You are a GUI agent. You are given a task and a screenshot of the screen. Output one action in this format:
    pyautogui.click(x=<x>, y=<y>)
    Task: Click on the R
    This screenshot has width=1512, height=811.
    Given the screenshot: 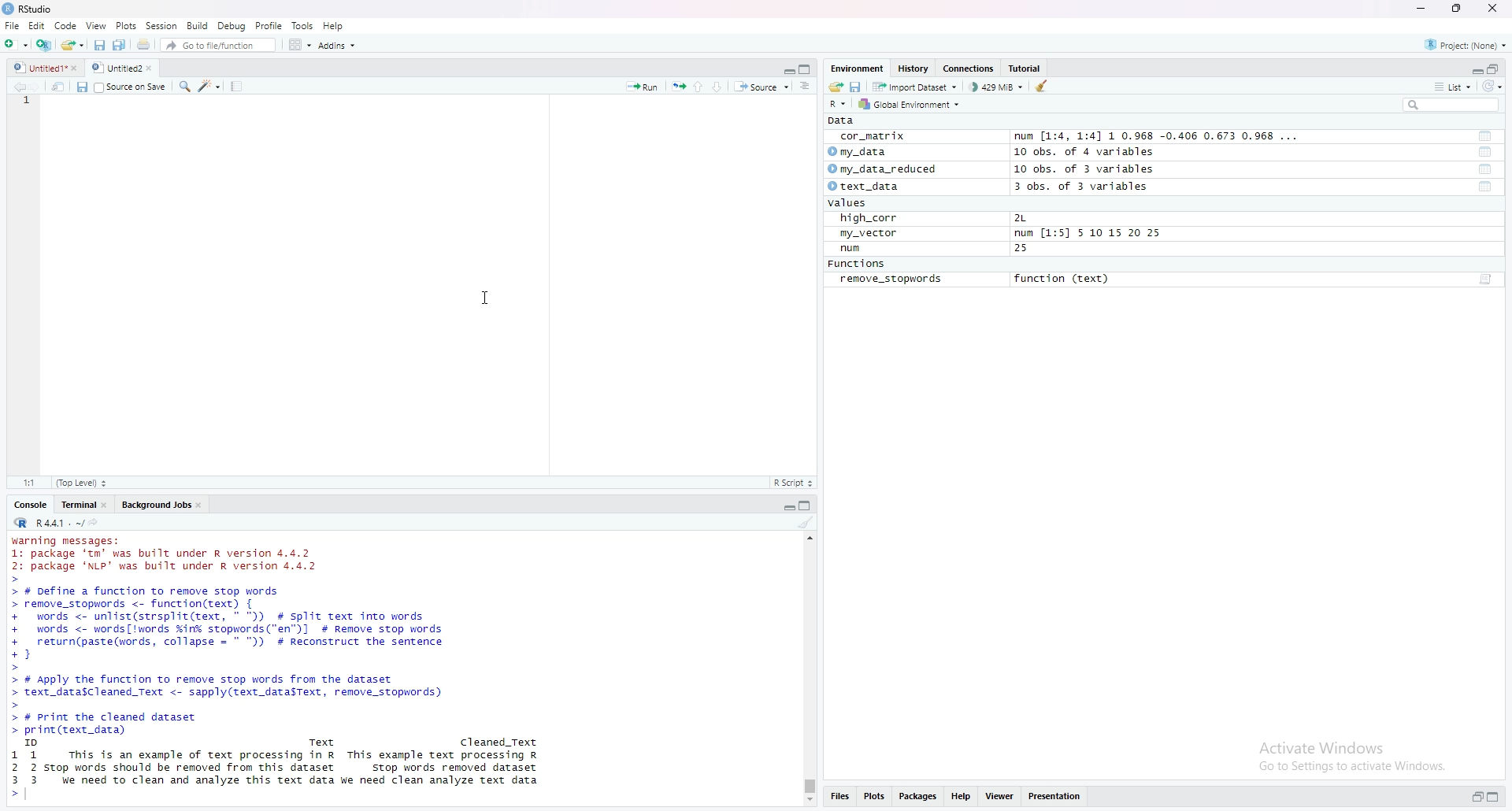 What is the action you would take?
    pyautogui.click(x=19, y=523)
    